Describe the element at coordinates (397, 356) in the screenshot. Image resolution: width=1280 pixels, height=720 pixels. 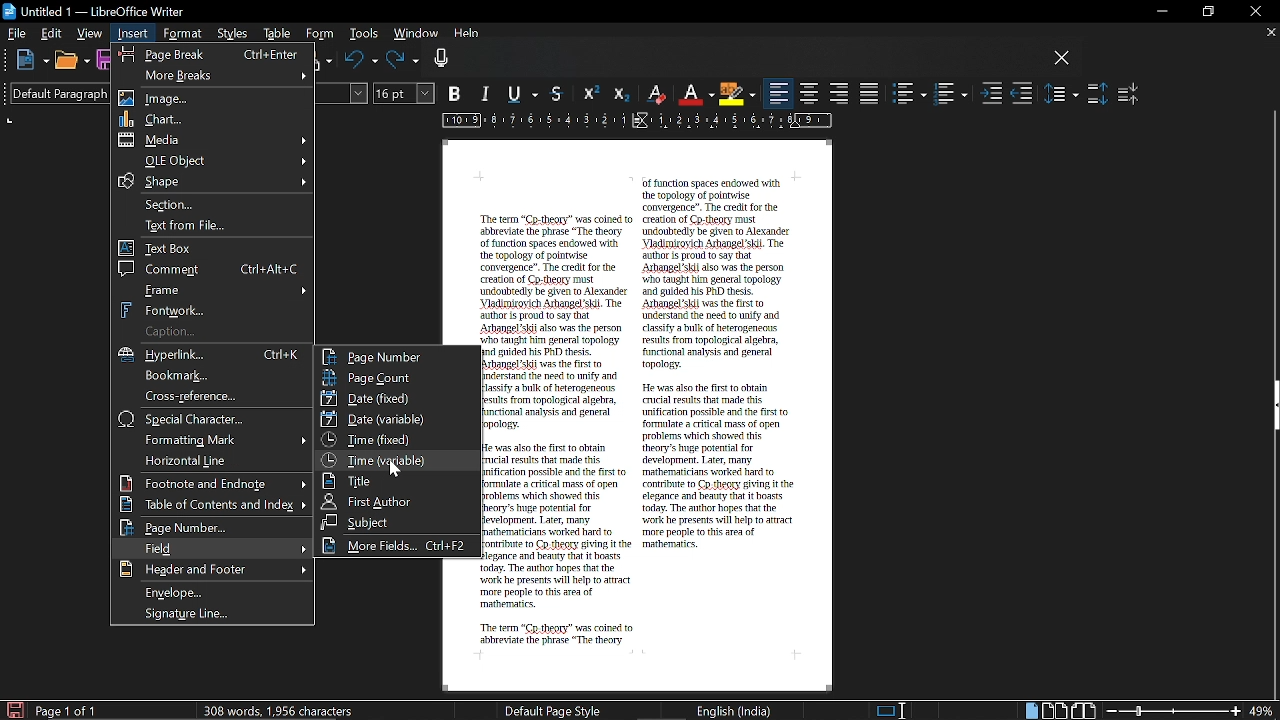
I see `Page number` at that location.